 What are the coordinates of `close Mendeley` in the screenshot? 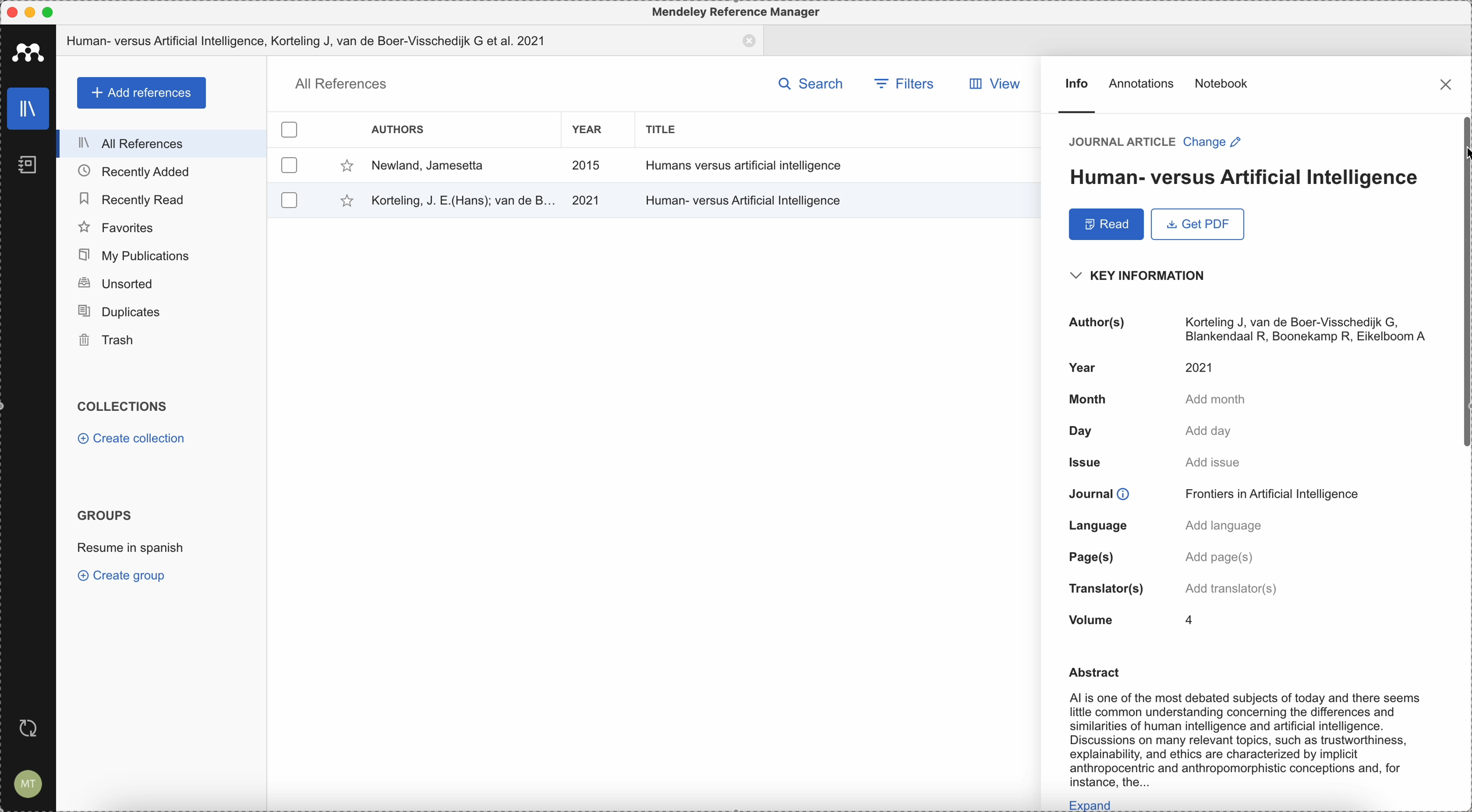 It's located at (11, 11).